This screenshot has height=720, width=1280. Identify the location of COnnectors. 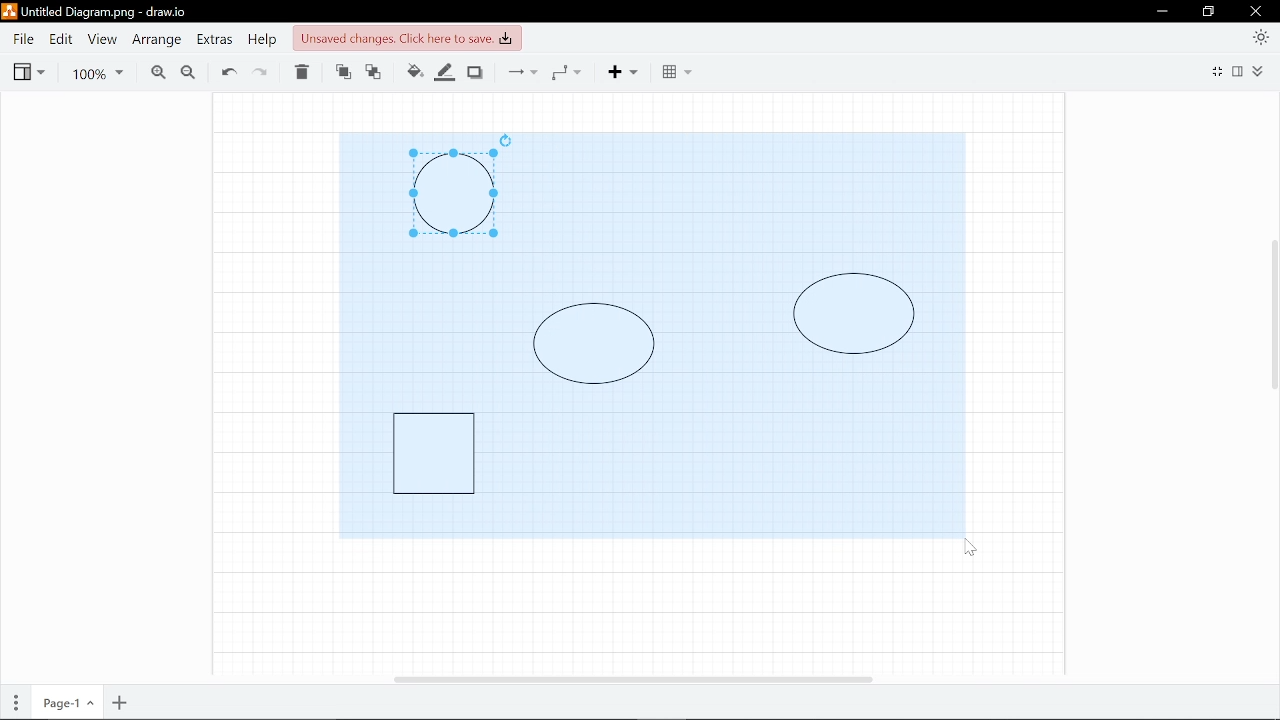
(520, 71).